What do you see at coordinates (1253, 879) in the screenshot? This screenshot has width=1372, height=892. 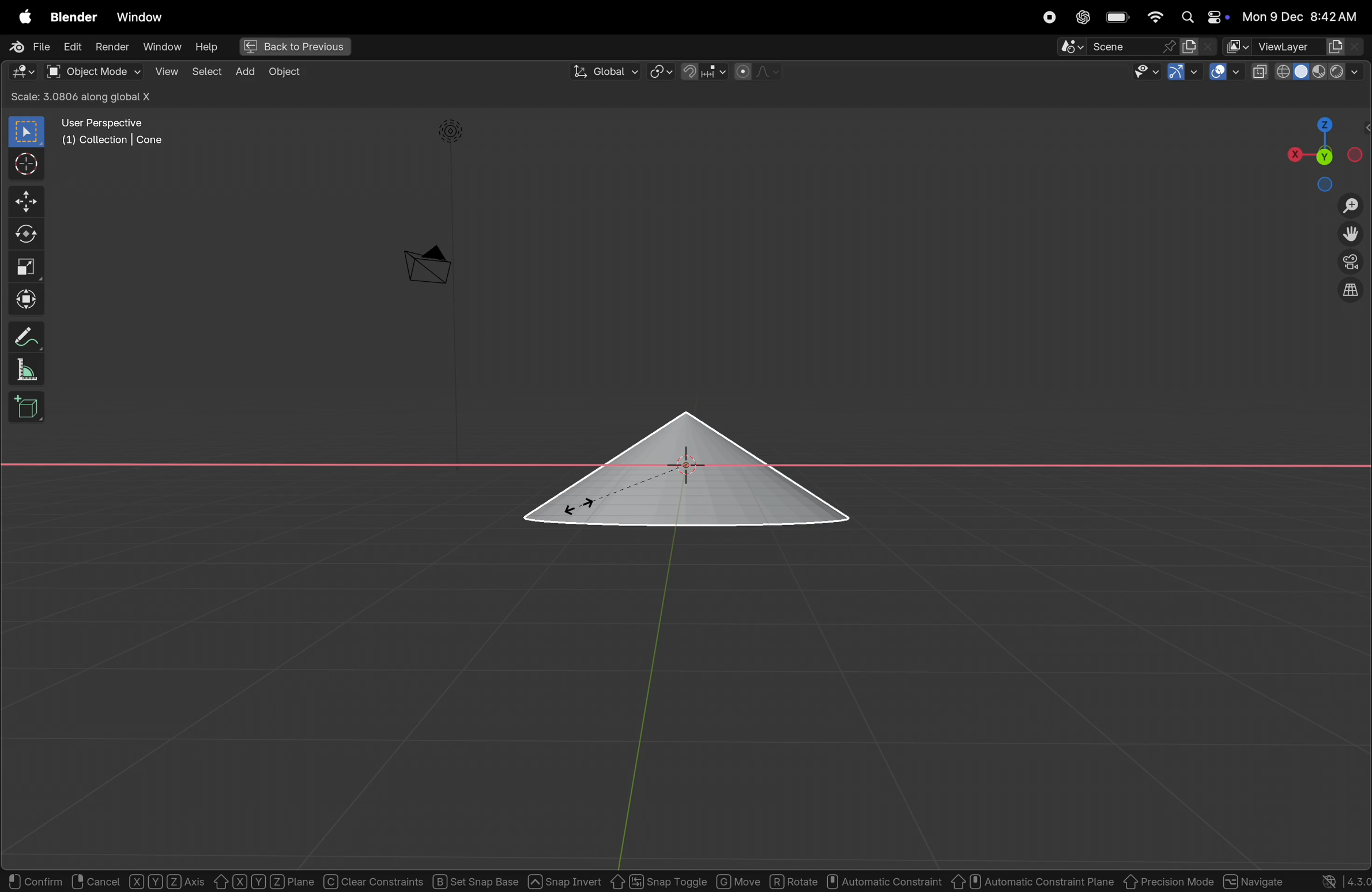 I see `Navigate` at bounding box center [1253, 879].